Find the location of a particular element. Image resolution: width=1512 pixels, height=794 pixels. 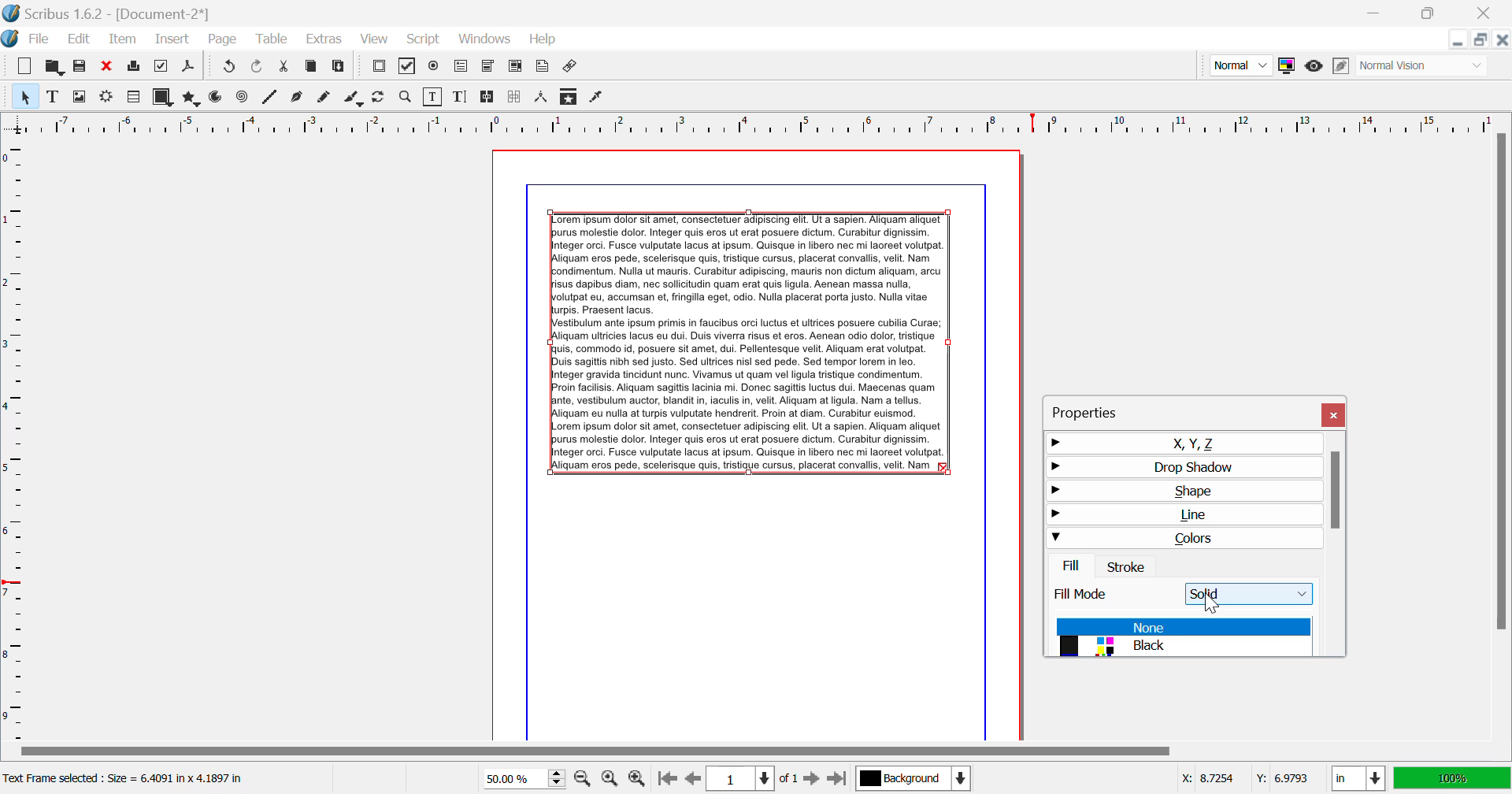

Measurement Units is located at coordinates (1359, 780).